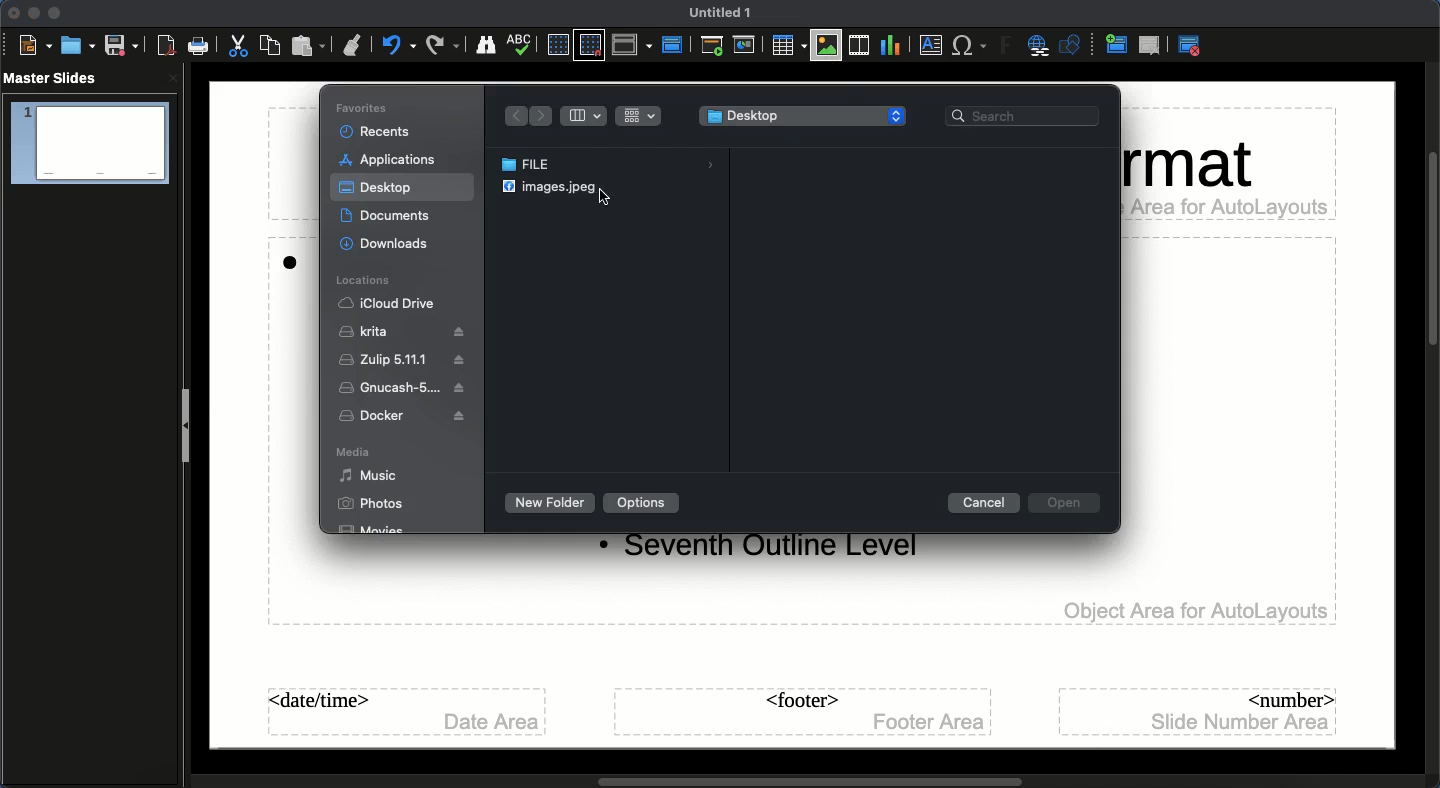 The image size is (1440, 788). Describe the element at coordinates (558, 45) in the screenshot. I see `Display grid` at that location.